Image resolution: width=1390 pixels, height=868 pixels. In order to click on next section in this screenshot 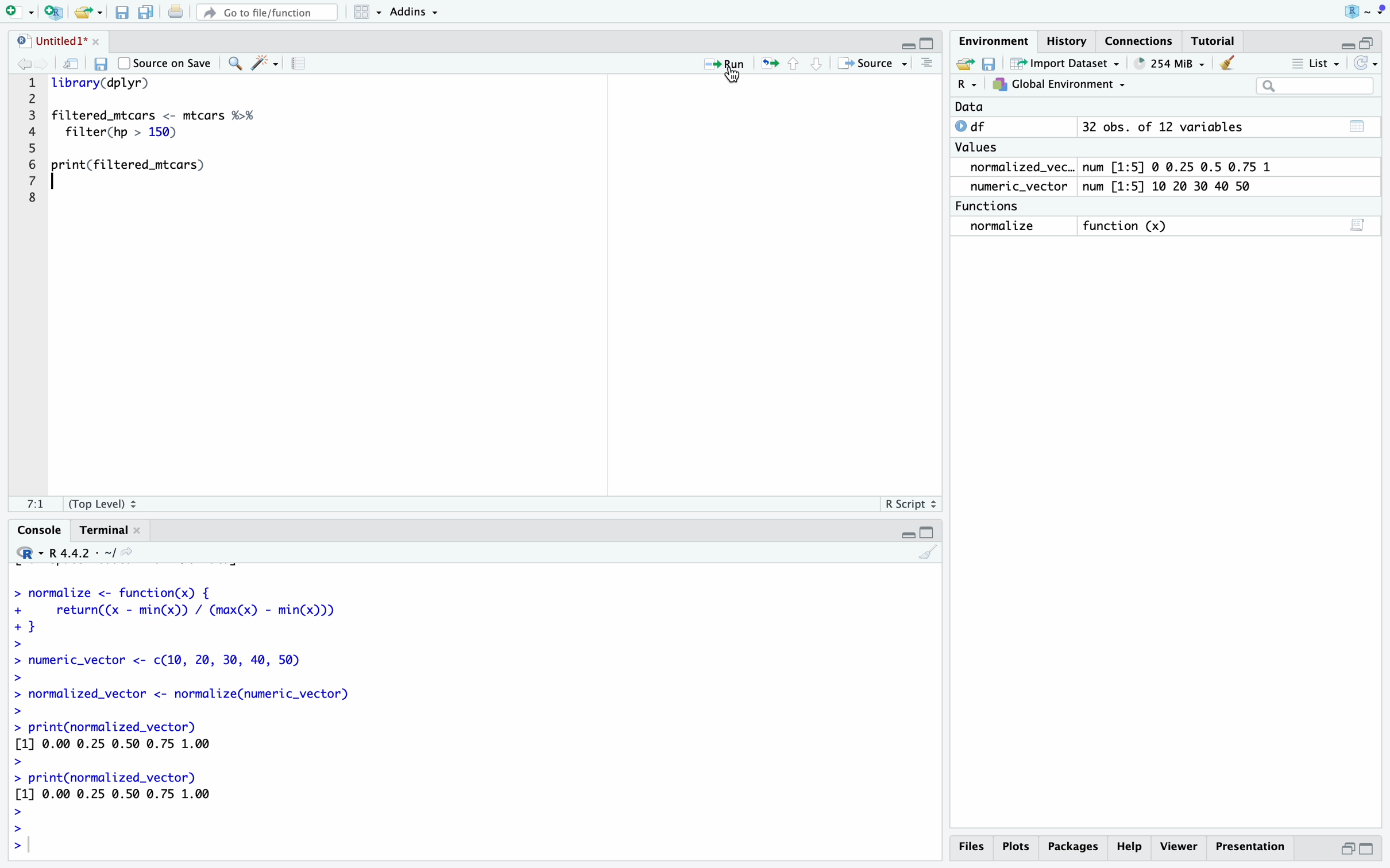, I will do `click(819, 65)`.